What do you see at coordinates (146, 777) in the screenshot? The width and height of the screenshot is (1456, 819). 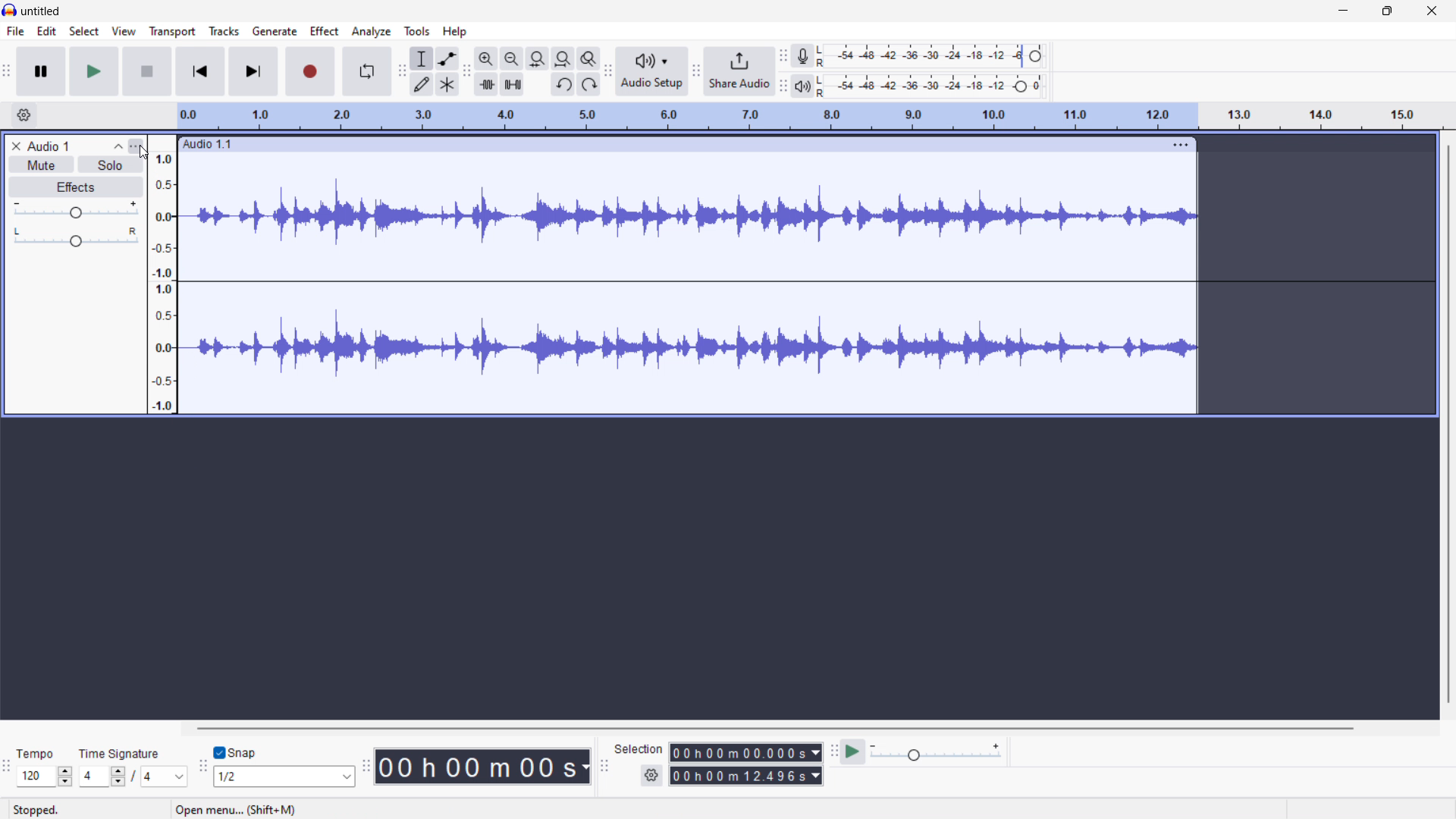 I see `/4` at bounding box center [146, 777].